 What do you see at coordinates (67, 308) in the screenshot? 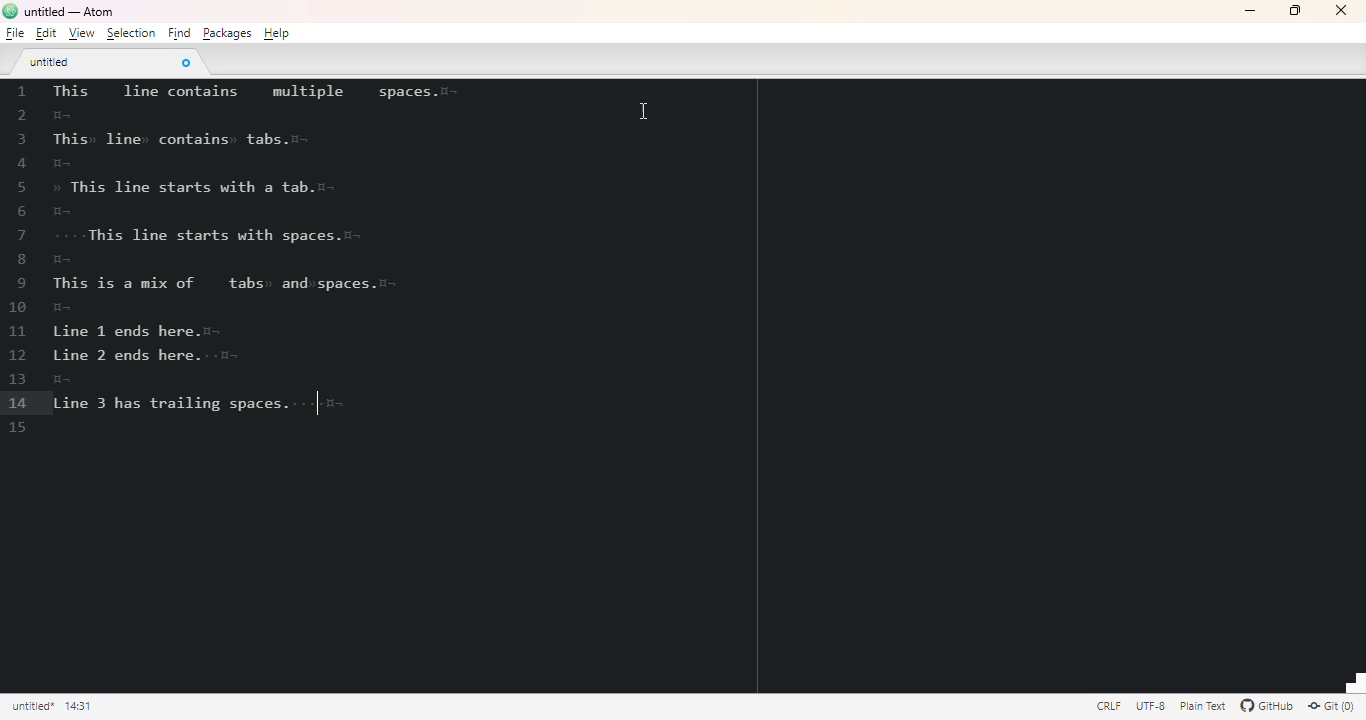
I see `invisible character` at bounding box center [67, 308].